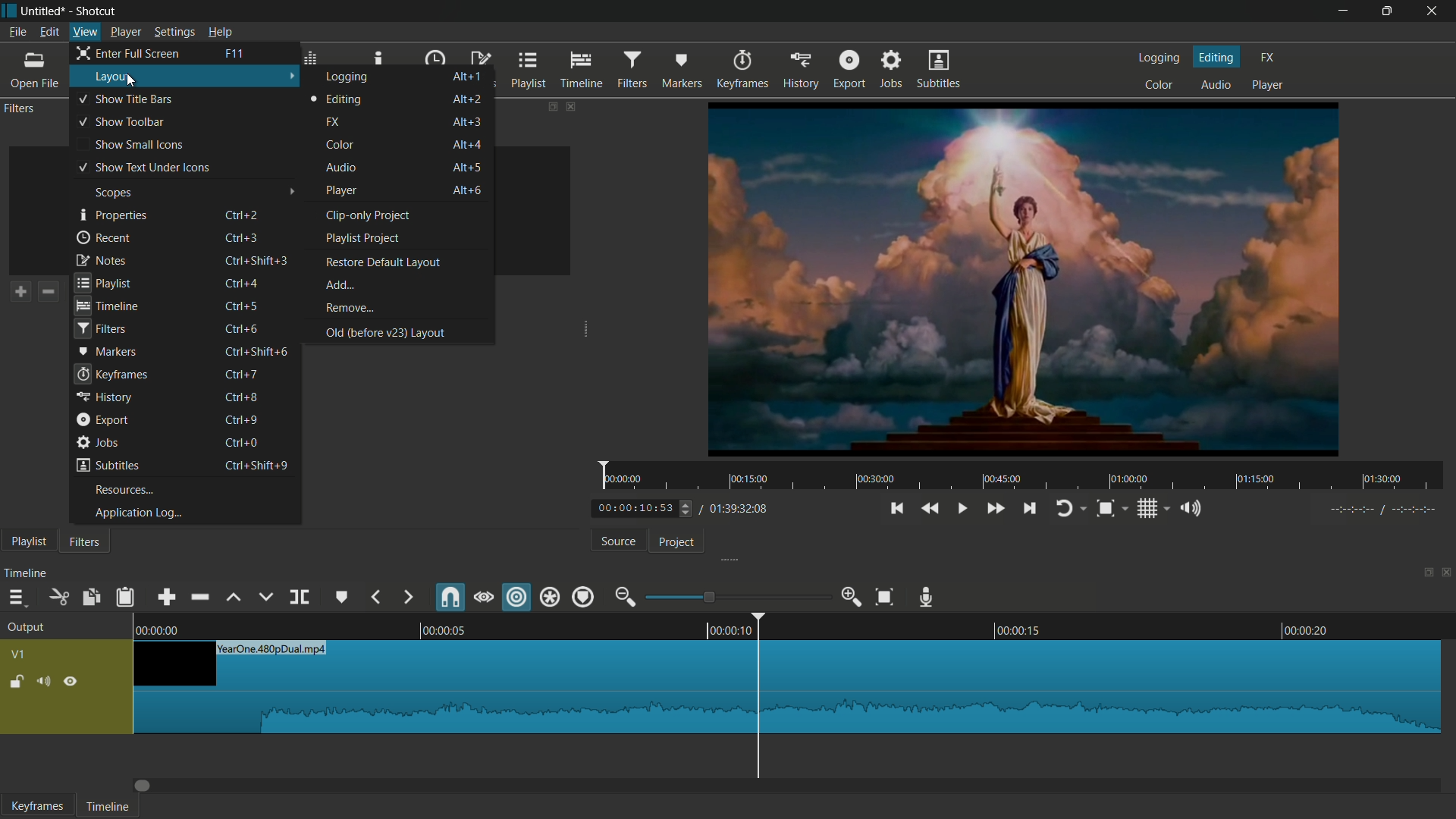 The image size is (1456, 819). I want to click on skip to the next point, so click(1030, 510).